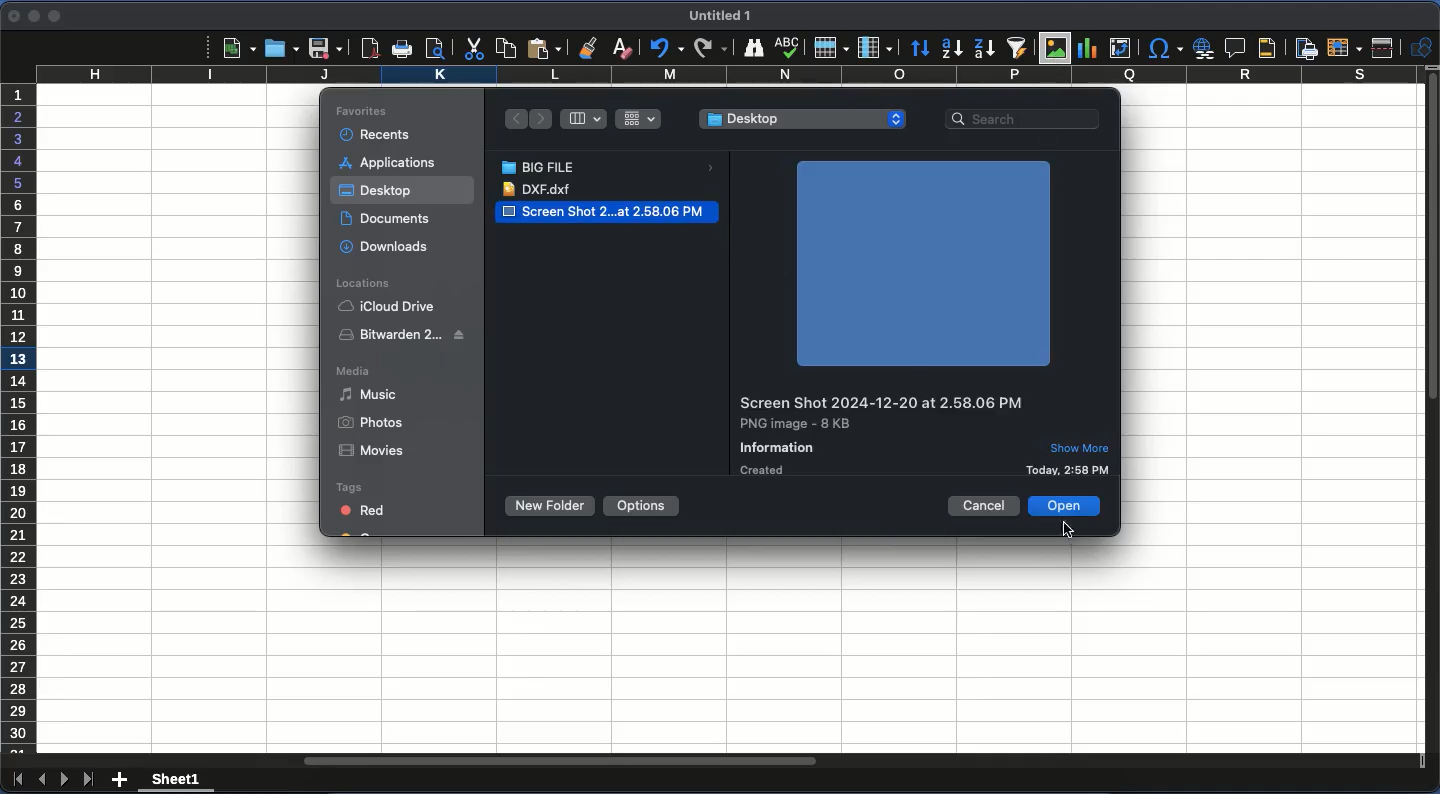 Image resolution: width=1440 pixels, height=794 pixels. What do you see at coordinates (953, 49) in the screenshot?
I see `ascending` at bounding box center [953, 49].